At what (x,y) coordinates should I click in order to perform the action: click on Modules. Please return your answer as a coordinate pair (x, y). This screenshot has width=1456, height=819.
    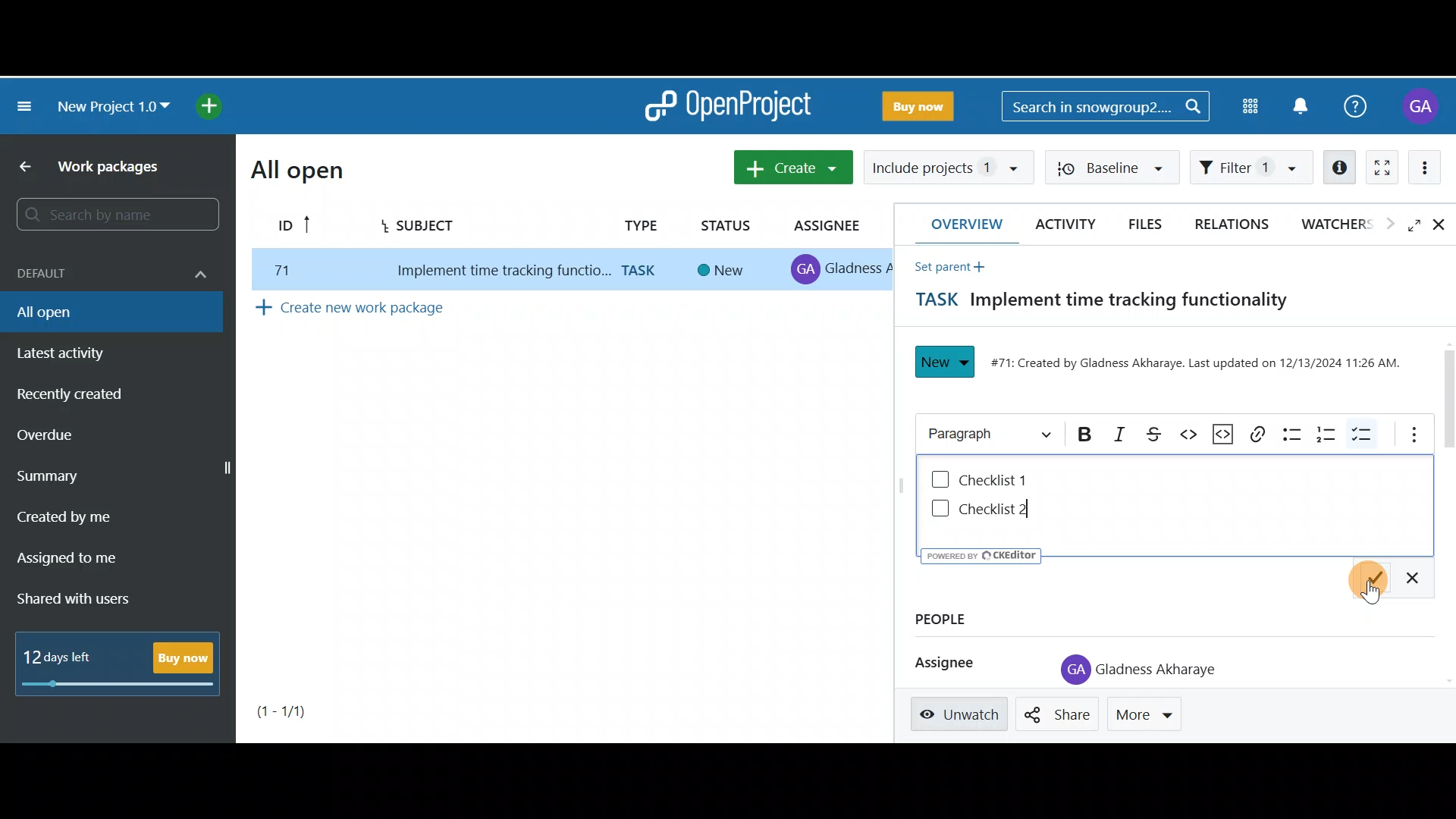
    Looking at the image, I should click on (1250, 106).